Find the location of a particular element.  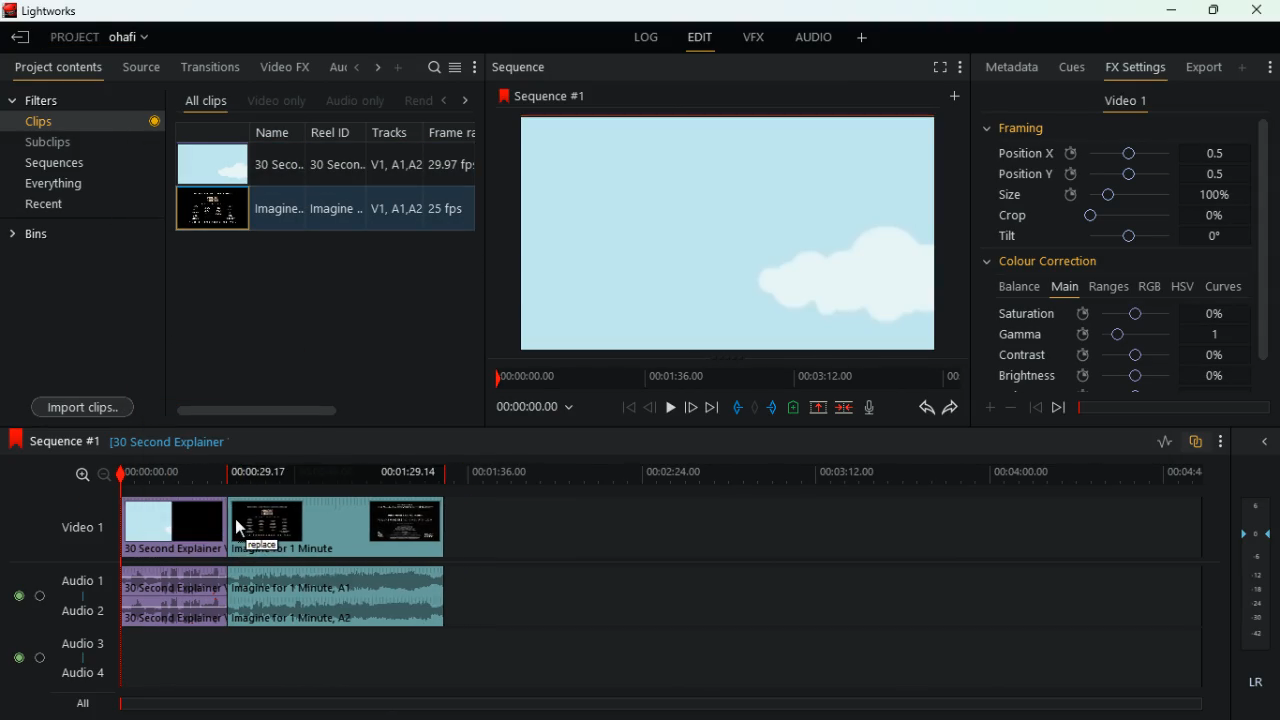

contrast is located at coordinates (1113, 354).